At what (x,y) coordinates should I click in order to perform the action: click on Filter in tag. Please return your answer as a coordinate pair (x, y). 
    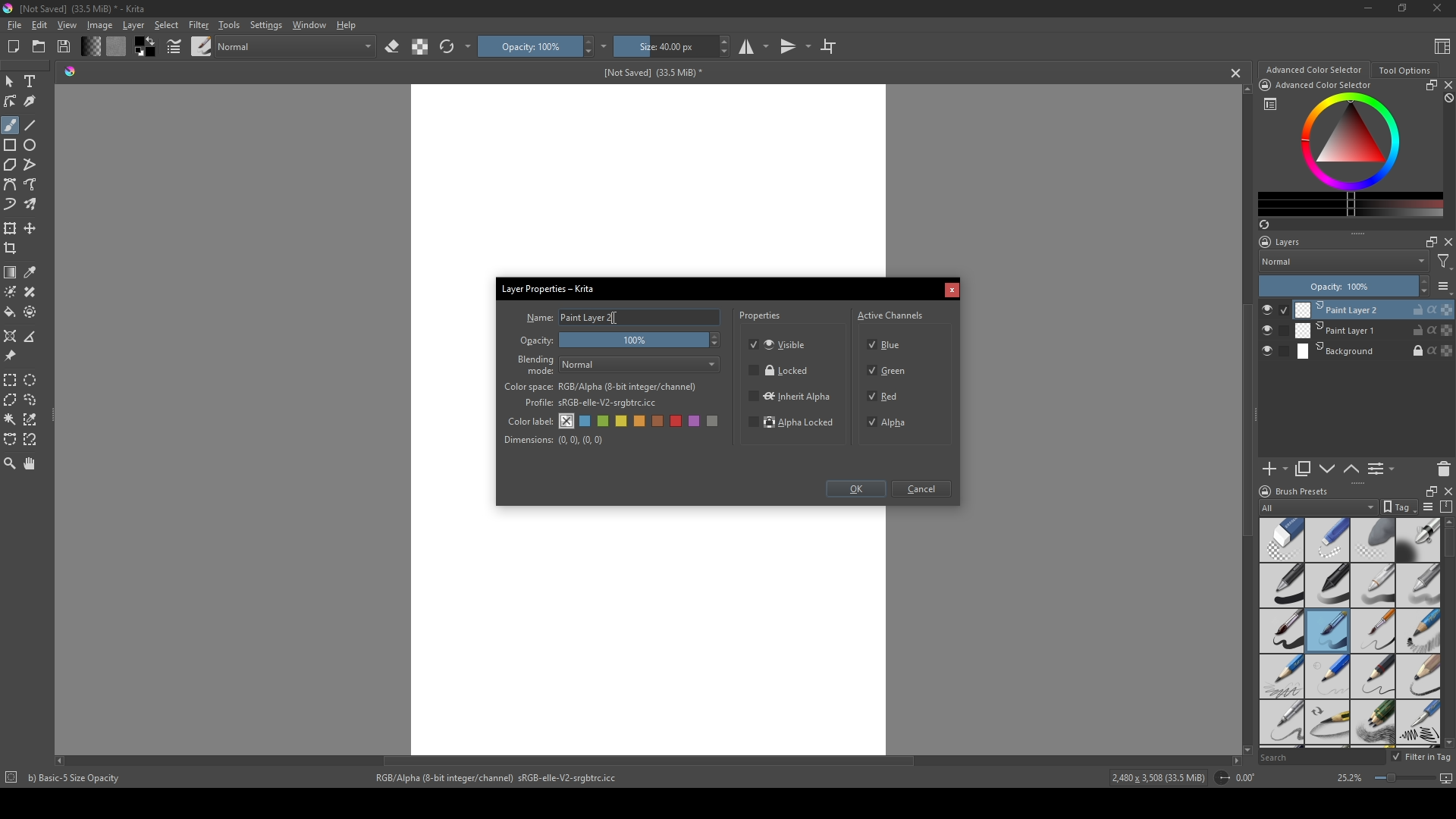
    Looking at the image, I should click on (1423, 758).